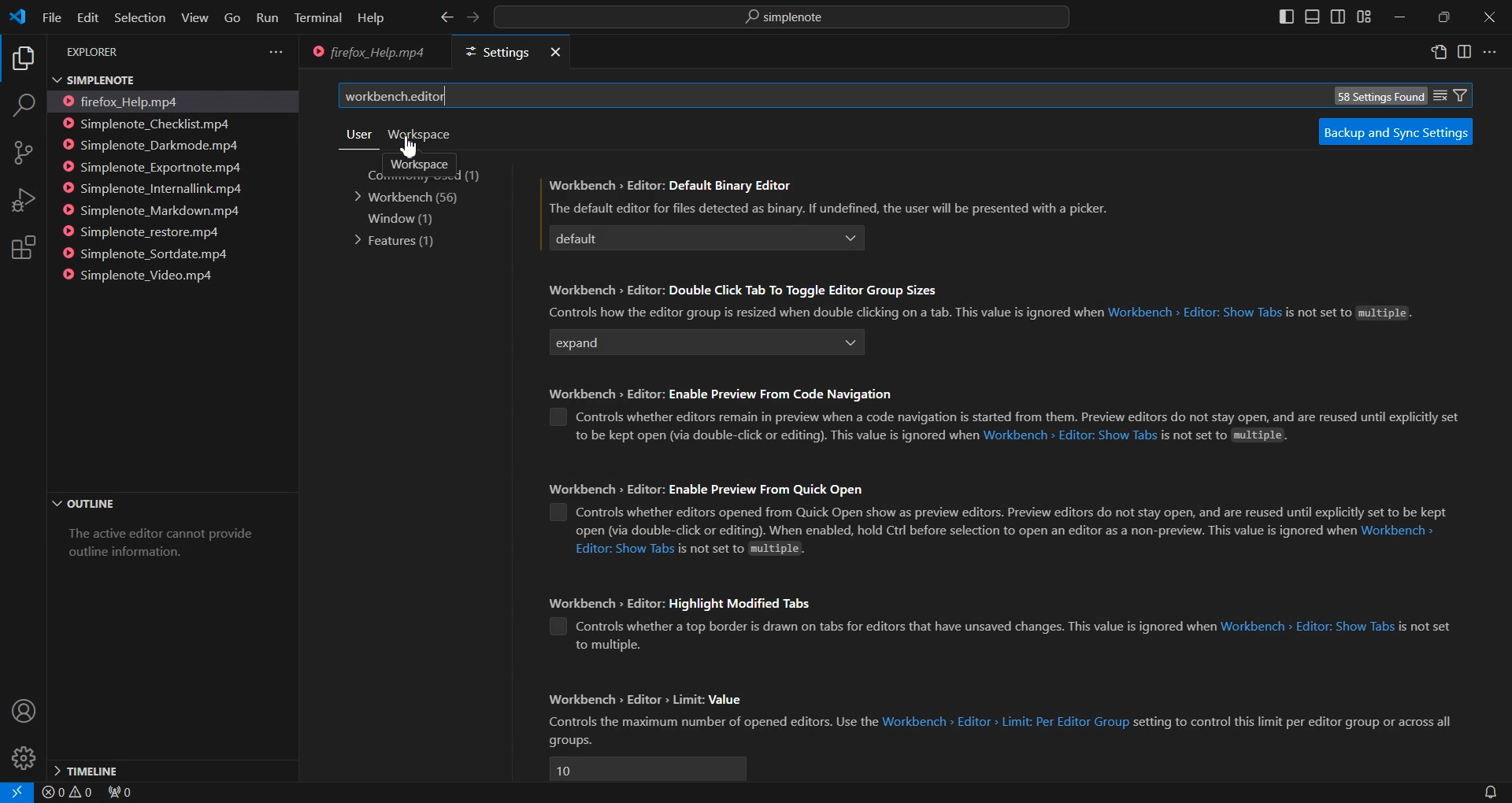  Describe the element at coordinates (1337, 17) in the screenshot. I see `Toggle secondary side bar` at that location.